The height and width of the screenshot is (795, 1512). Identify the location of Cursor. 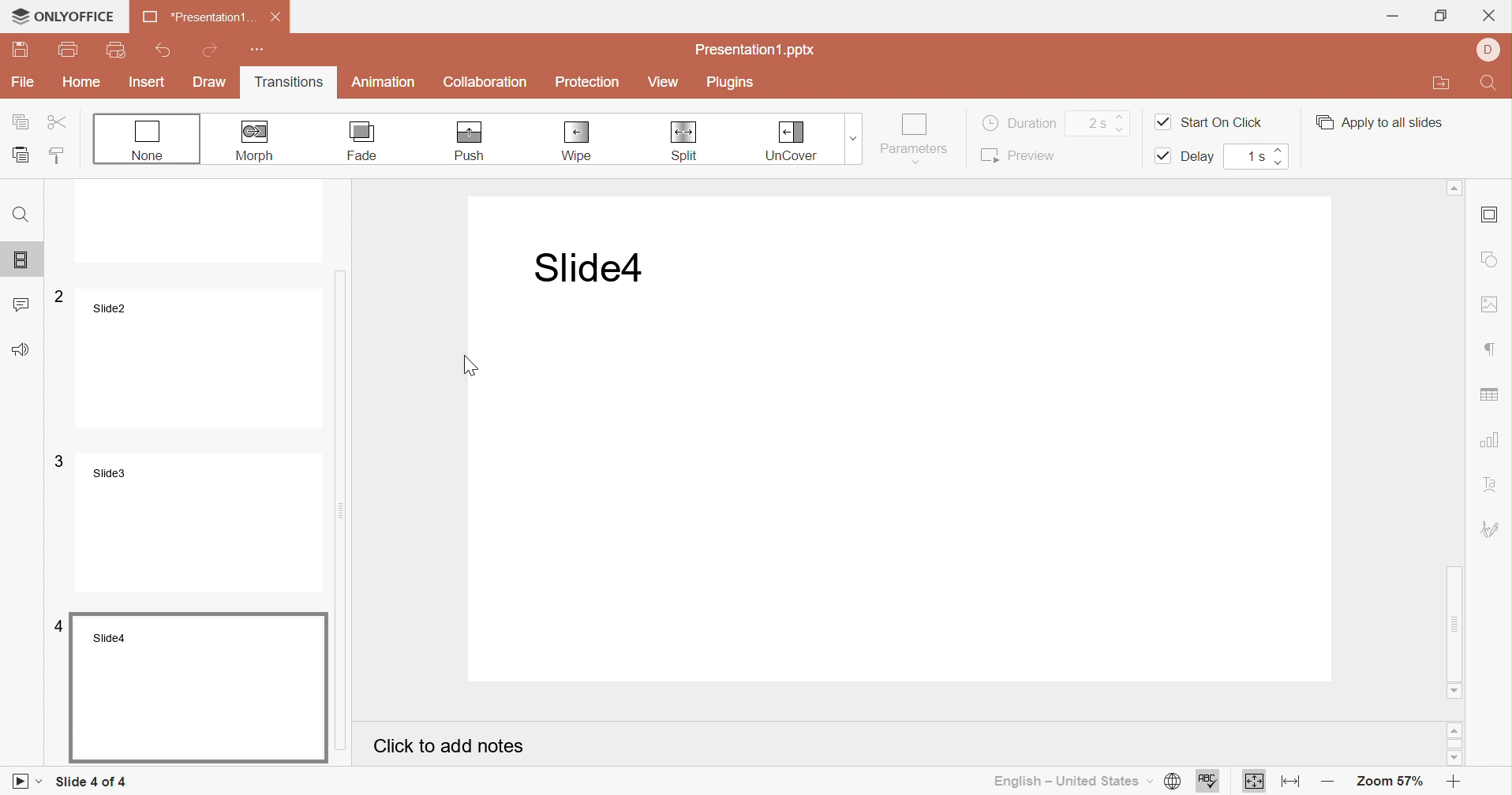
(469, 364).